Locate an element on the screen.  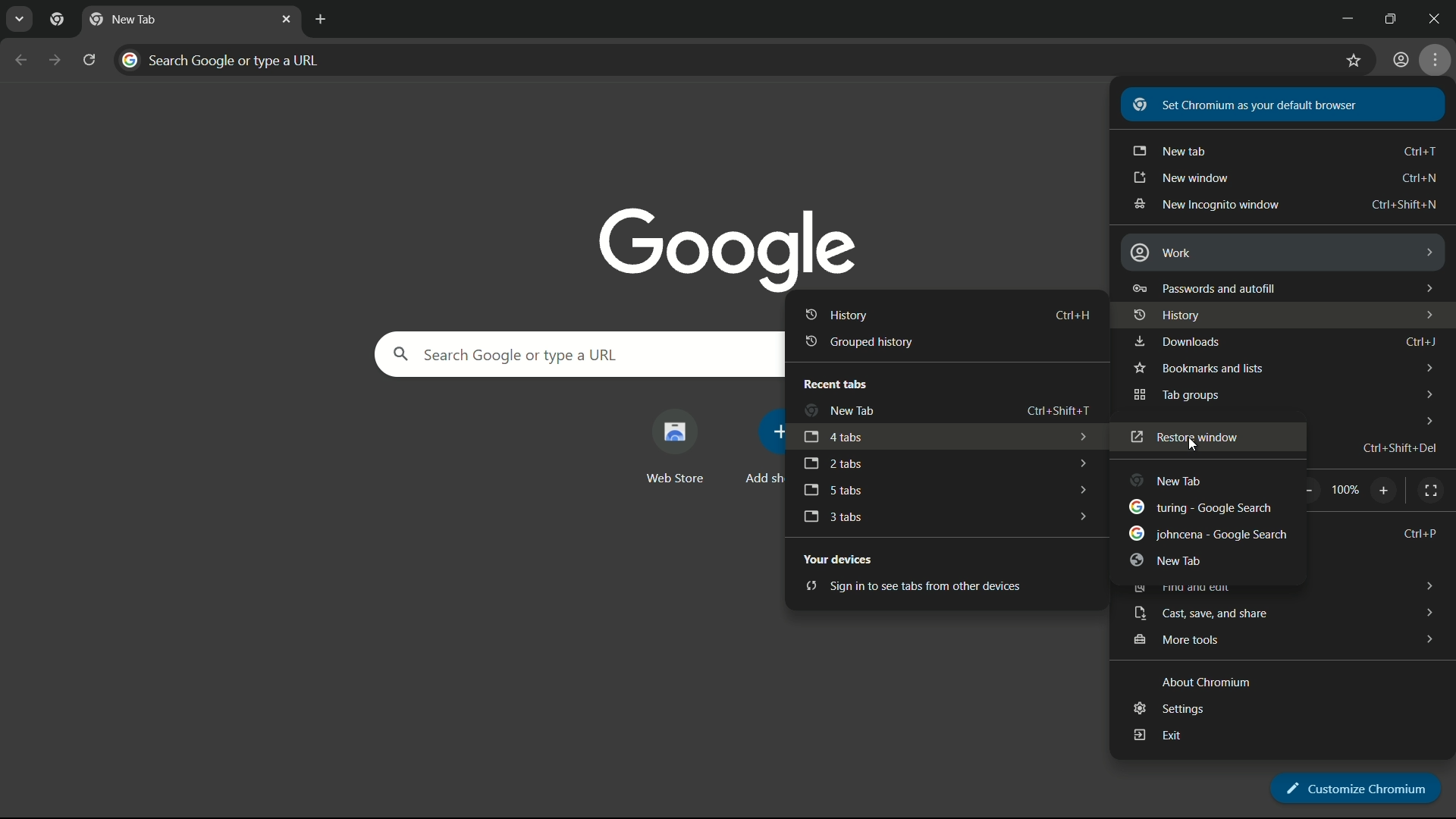
new tab is located at coordinates (838, 411).